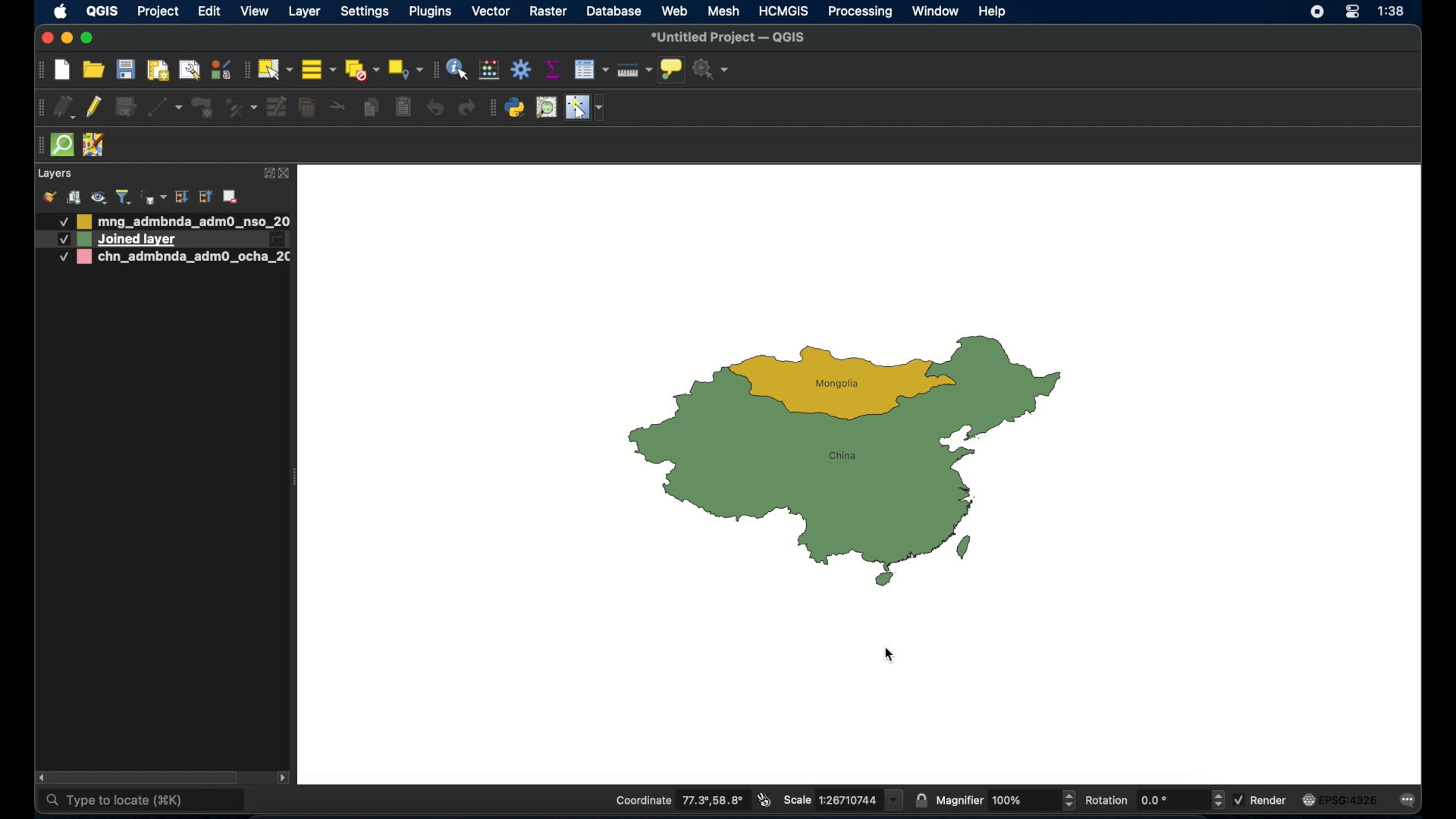 The height and width of the screenshot is (819, 1456). I want to click on toggle mouse extents and display position, so click(764, 800).